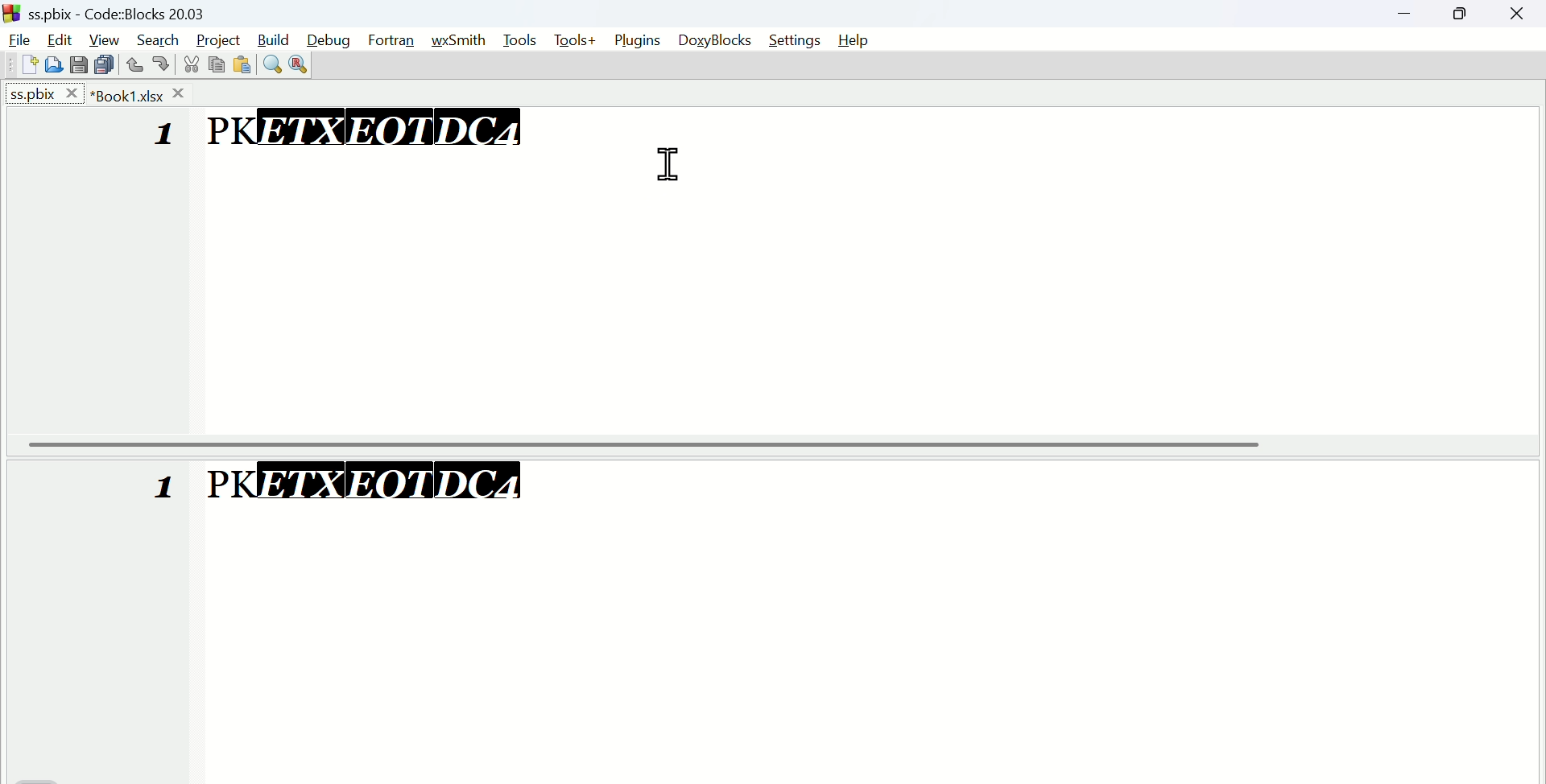 The image size is (1546, 784). Describe the element at coordinates (163, 64) in the screenshot. I see `redo` at that location.